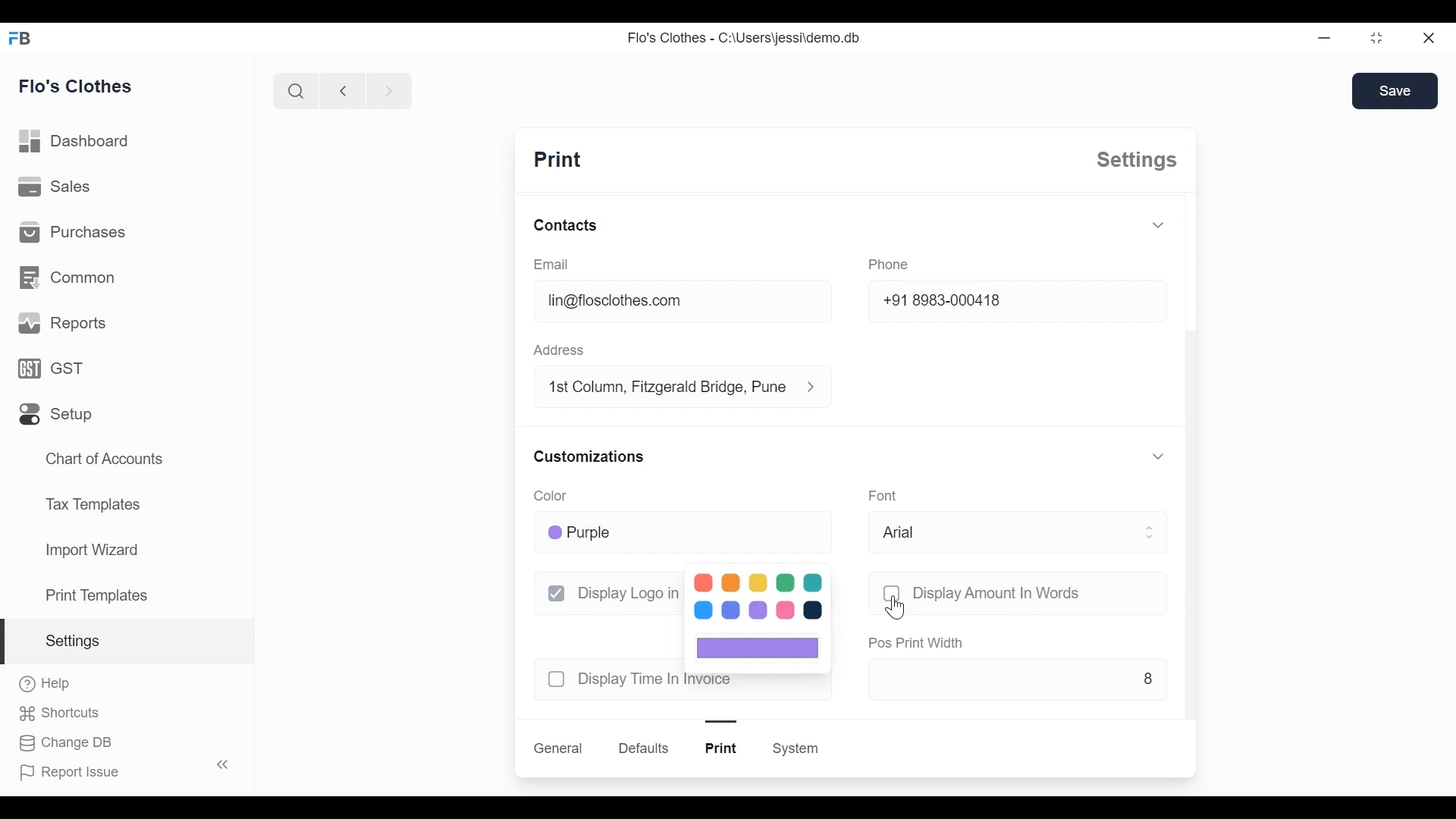  What do you see at coordinates (1137, 160) in the screenshot?
I see `settings` at bounding box center [1137, 160].